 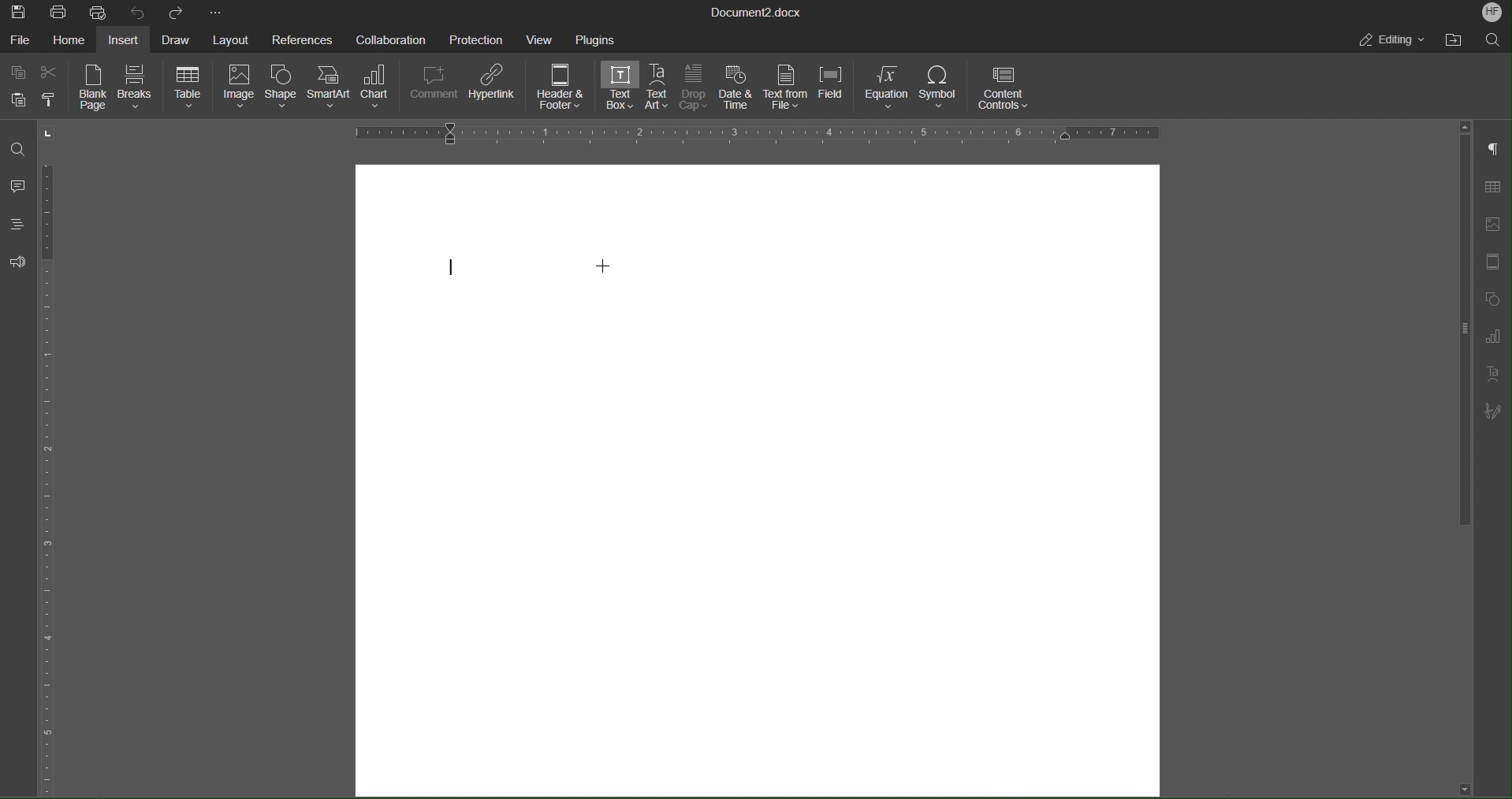 What do you see at coordinates (1490, 298) in the screenshot?
I see `Shape Settings` at bounding box center [1490, 298].